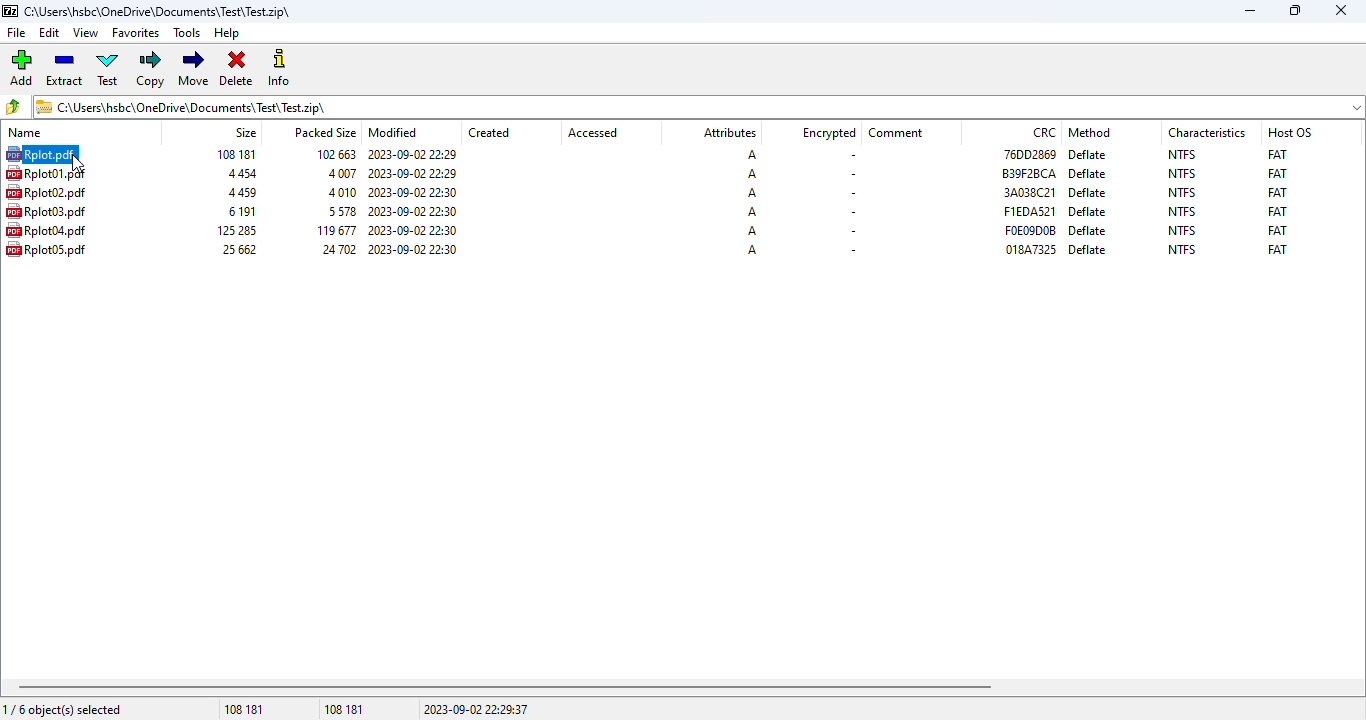  Describe the element at coordinates (852, 174) in the screenshot. I see `-` at that location.